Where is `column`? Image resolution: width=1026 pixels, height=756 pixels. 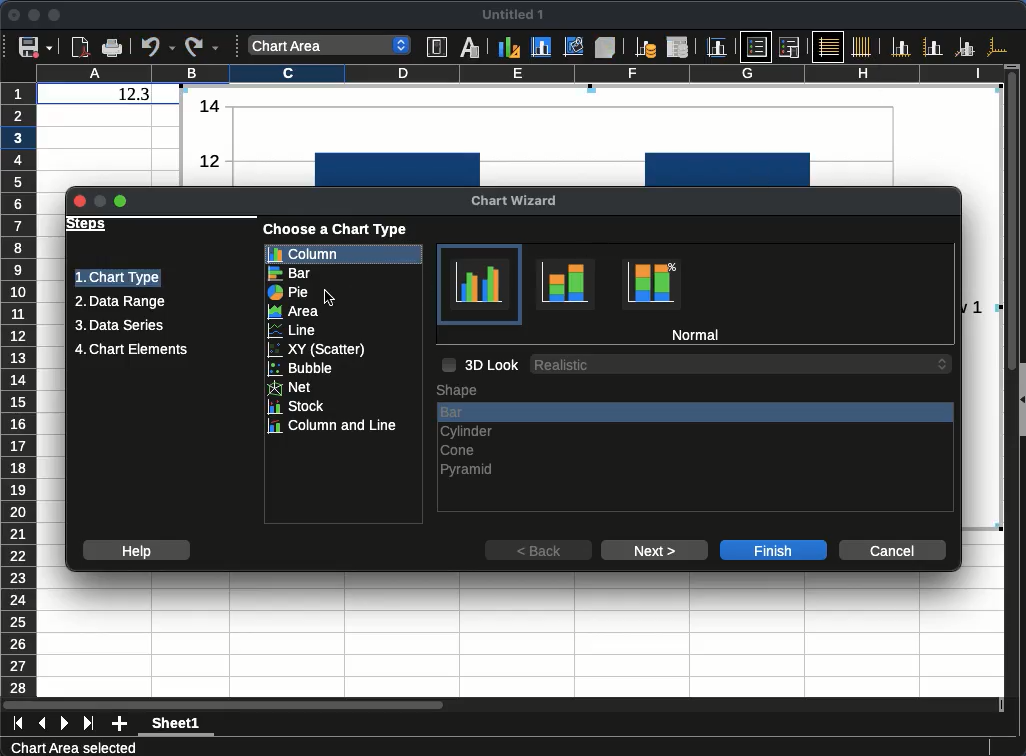 column is located at coordinates (343, 254).